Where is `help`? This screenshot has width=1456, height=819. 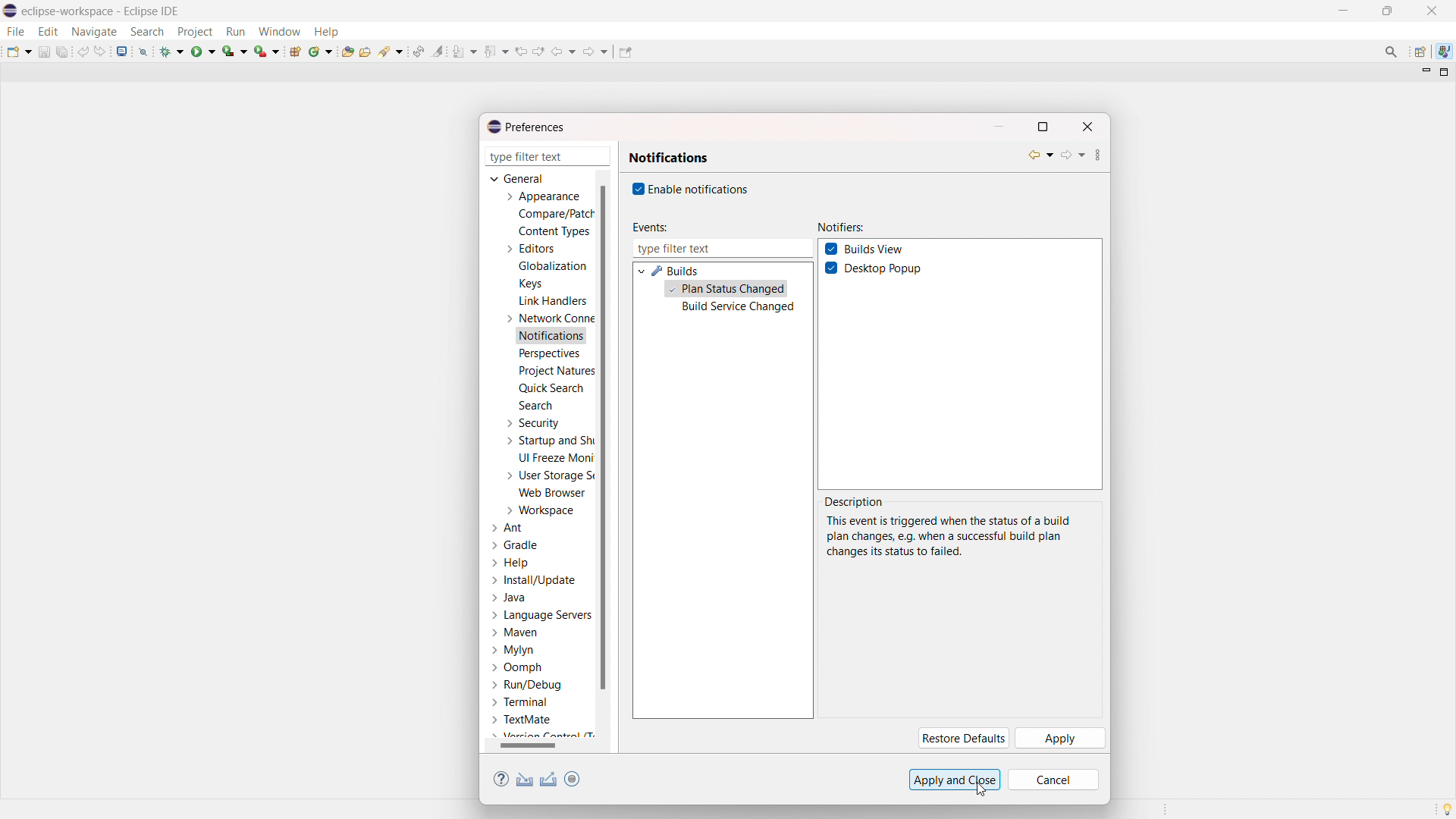 help is located at coordinates (501, 780).